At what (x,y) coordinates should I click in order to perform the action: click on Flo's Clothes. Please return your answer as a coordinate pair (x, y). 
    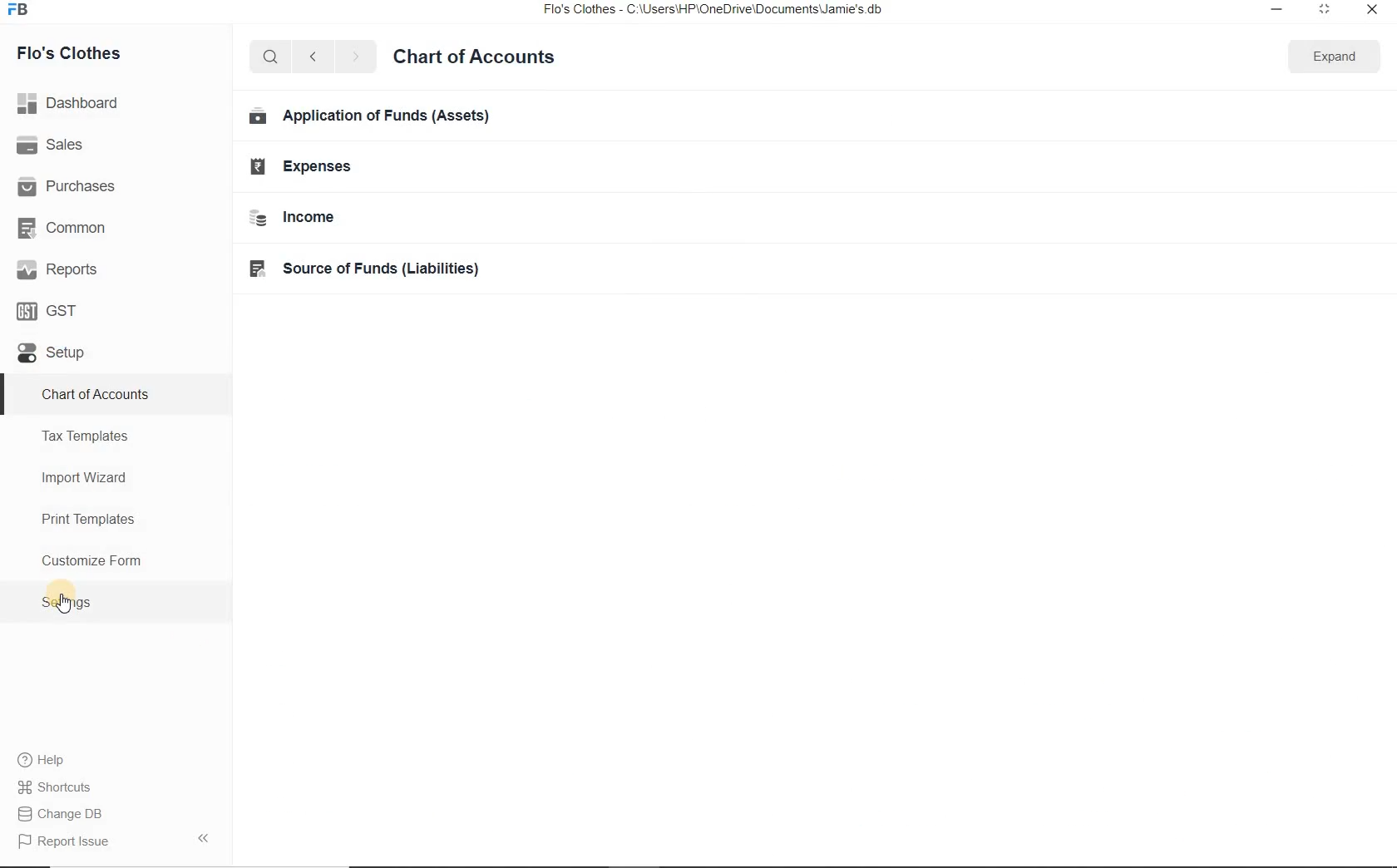
    Looking at the image, I should click on (71, 52).